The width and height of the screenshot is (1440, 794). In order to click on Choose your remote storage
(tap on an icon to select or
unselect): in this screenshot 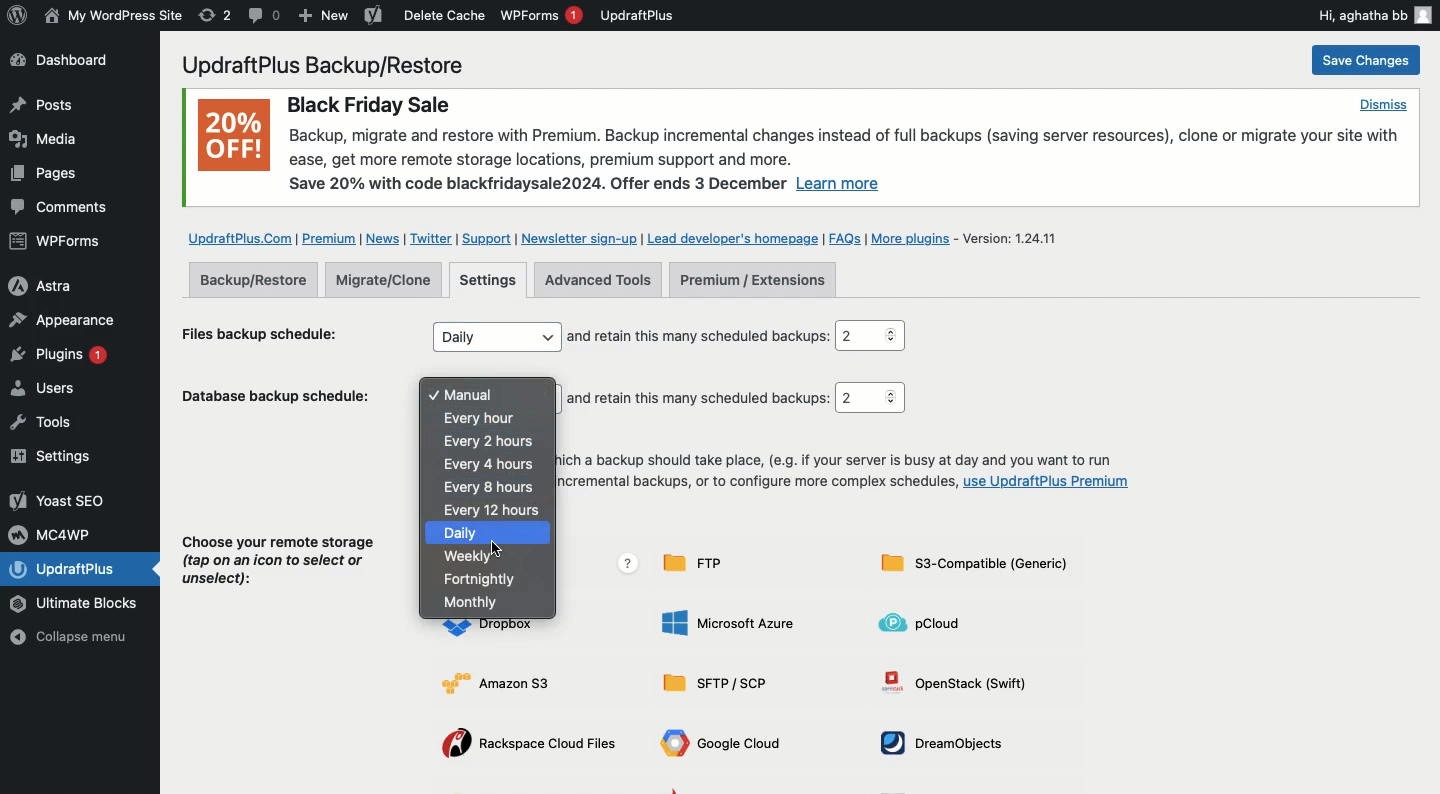, I will do `click(280, 565)`.